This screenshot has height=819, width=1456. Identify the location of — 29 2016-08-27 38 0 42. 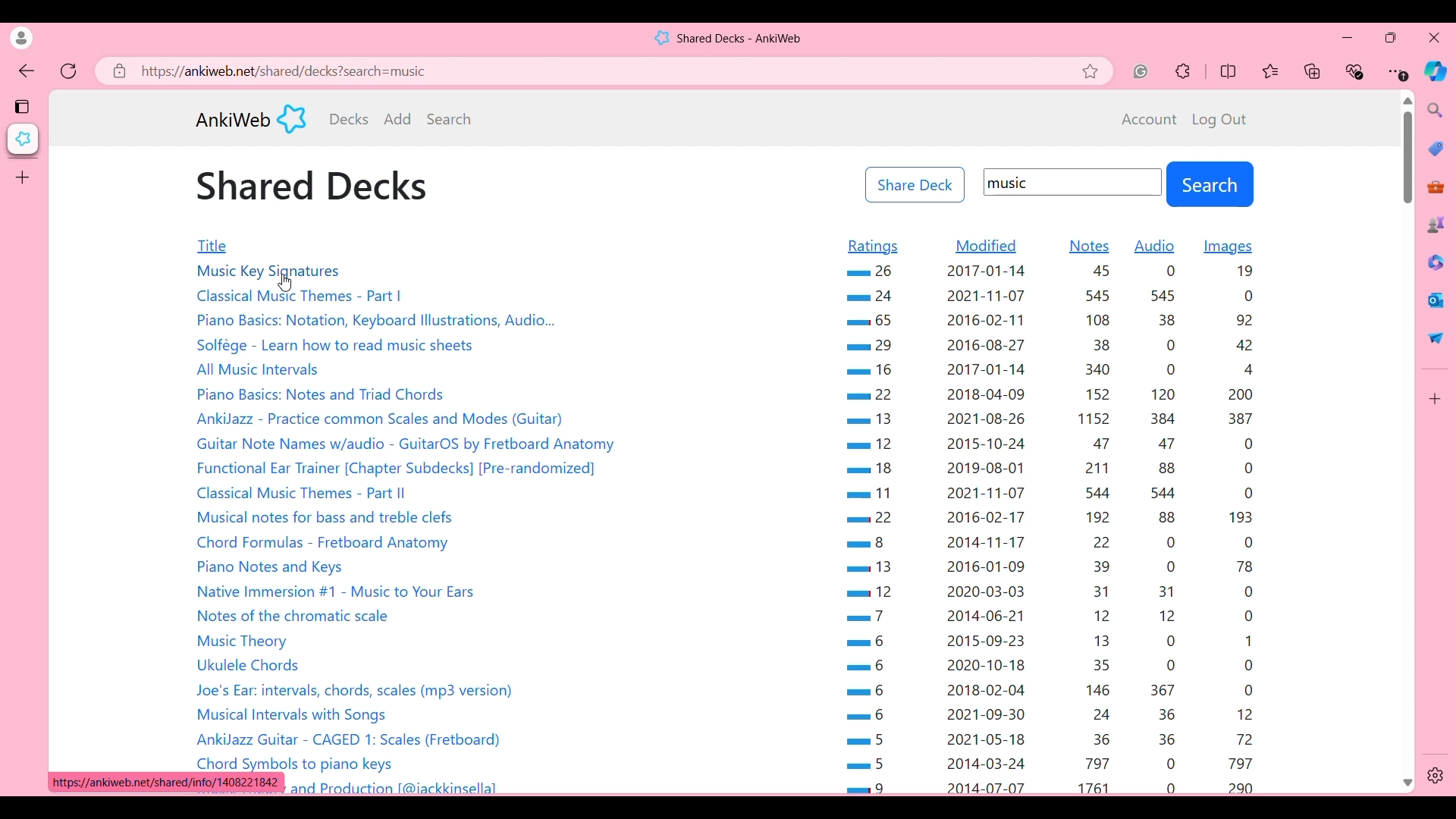
(1050, 344).